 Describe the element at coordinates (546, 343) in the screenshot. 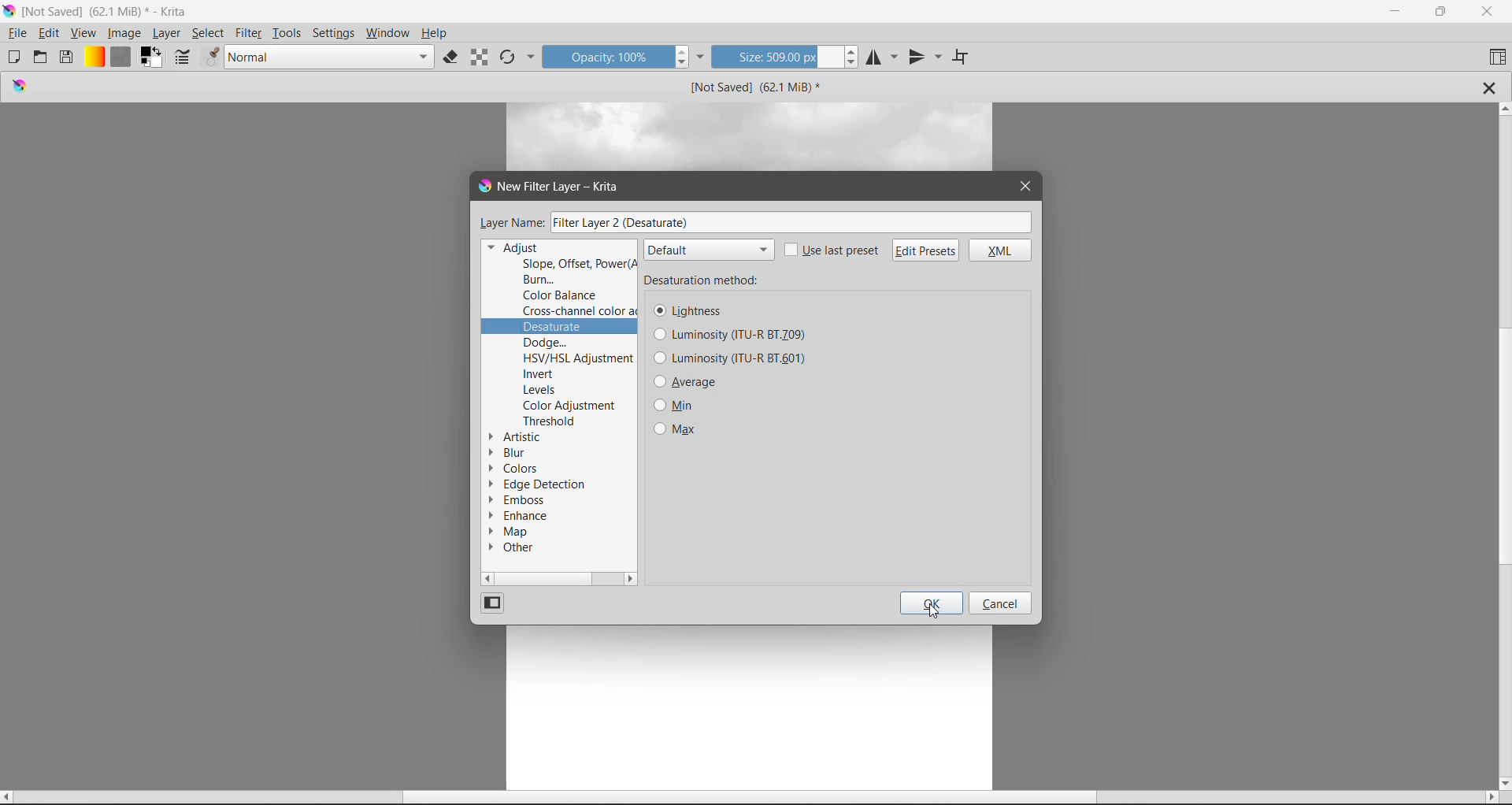

I see `Dodge` at that location.